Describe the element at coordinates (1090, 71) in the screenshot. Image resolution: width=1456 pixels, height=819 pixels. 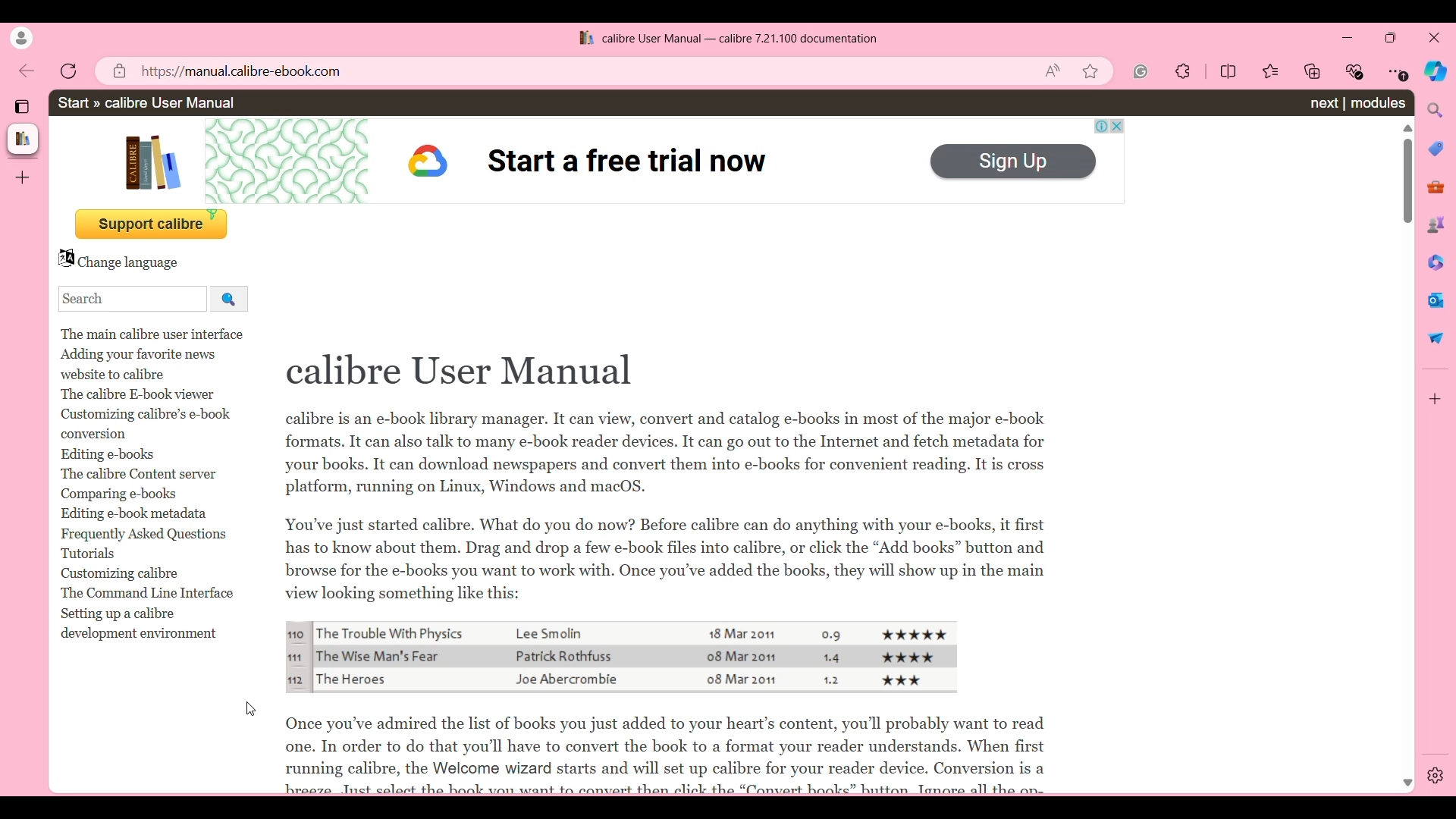
I see `Add current page to favorite` at that location.